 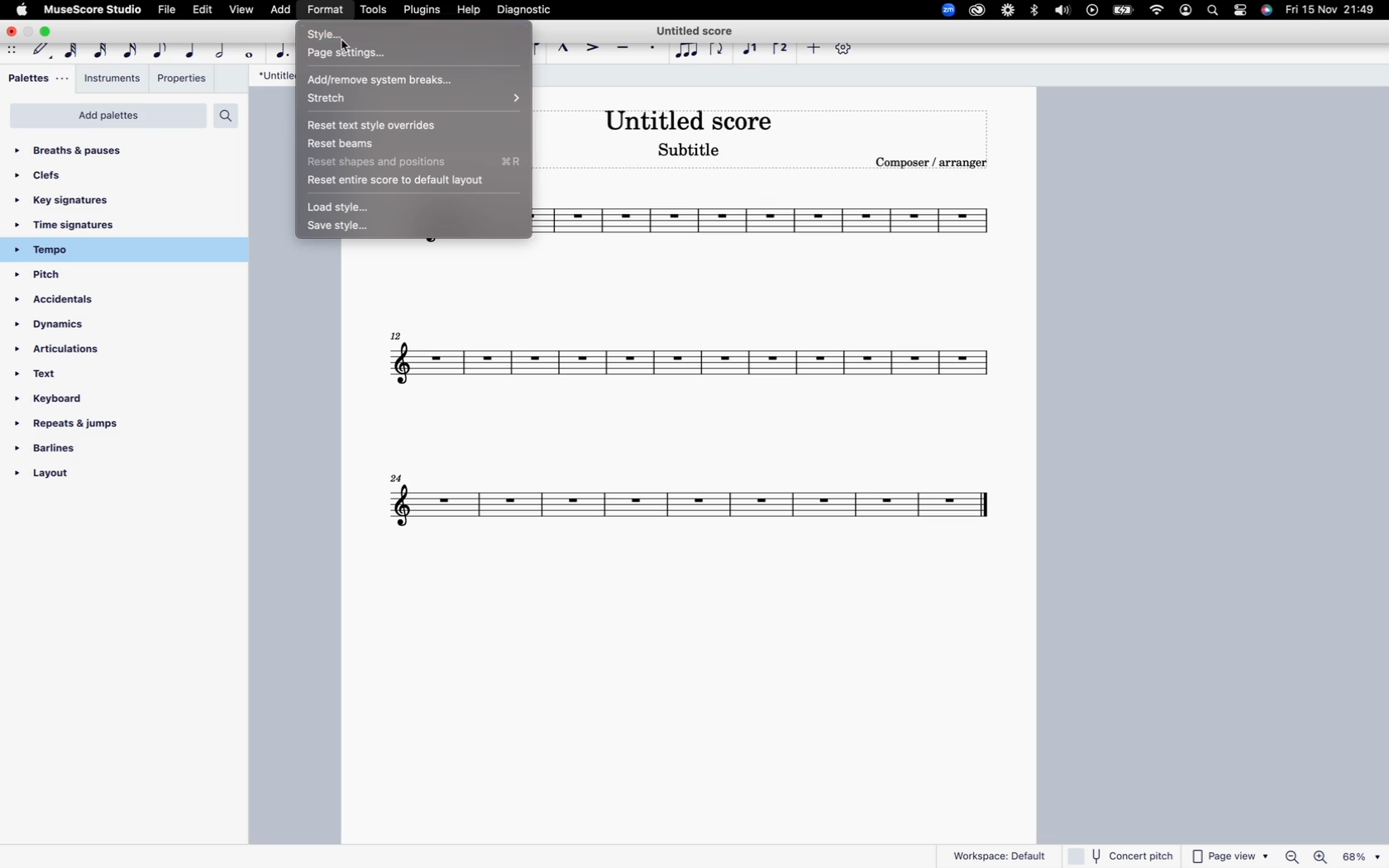 I want to click on concert pitch, so click(x=1122, y=855).